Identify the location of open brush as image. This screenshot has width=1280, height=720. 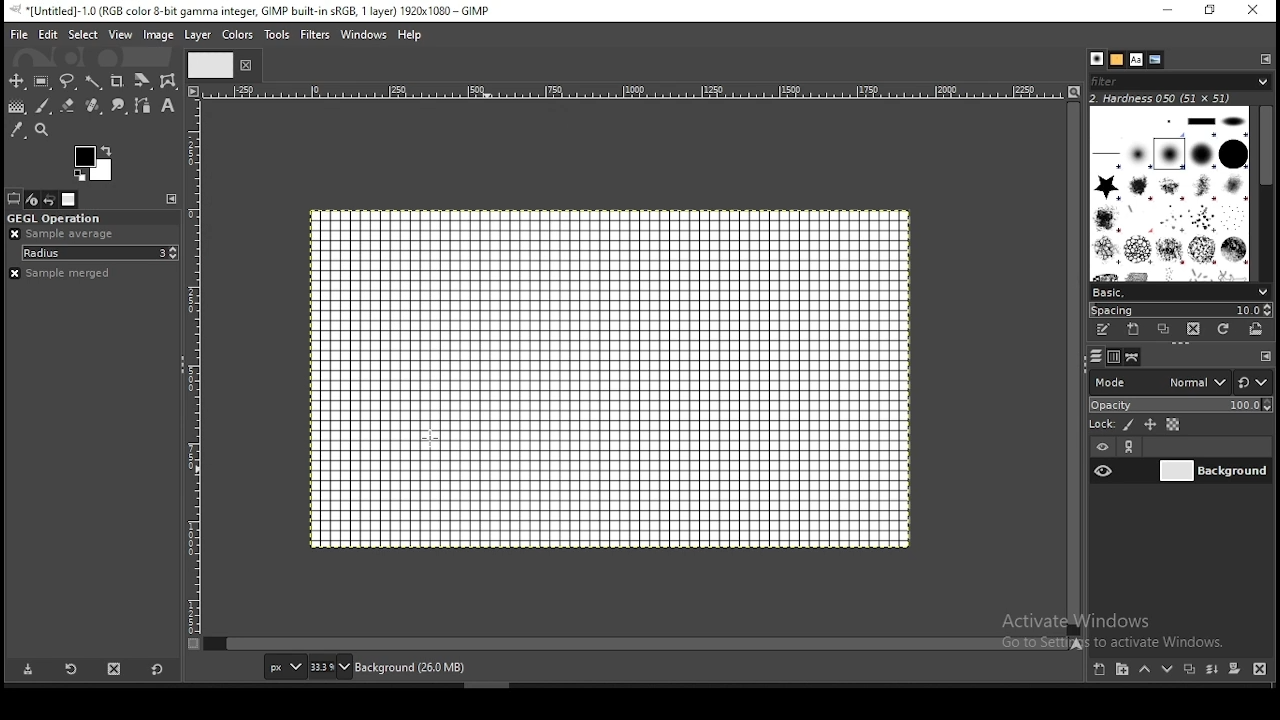
(1257, 329).